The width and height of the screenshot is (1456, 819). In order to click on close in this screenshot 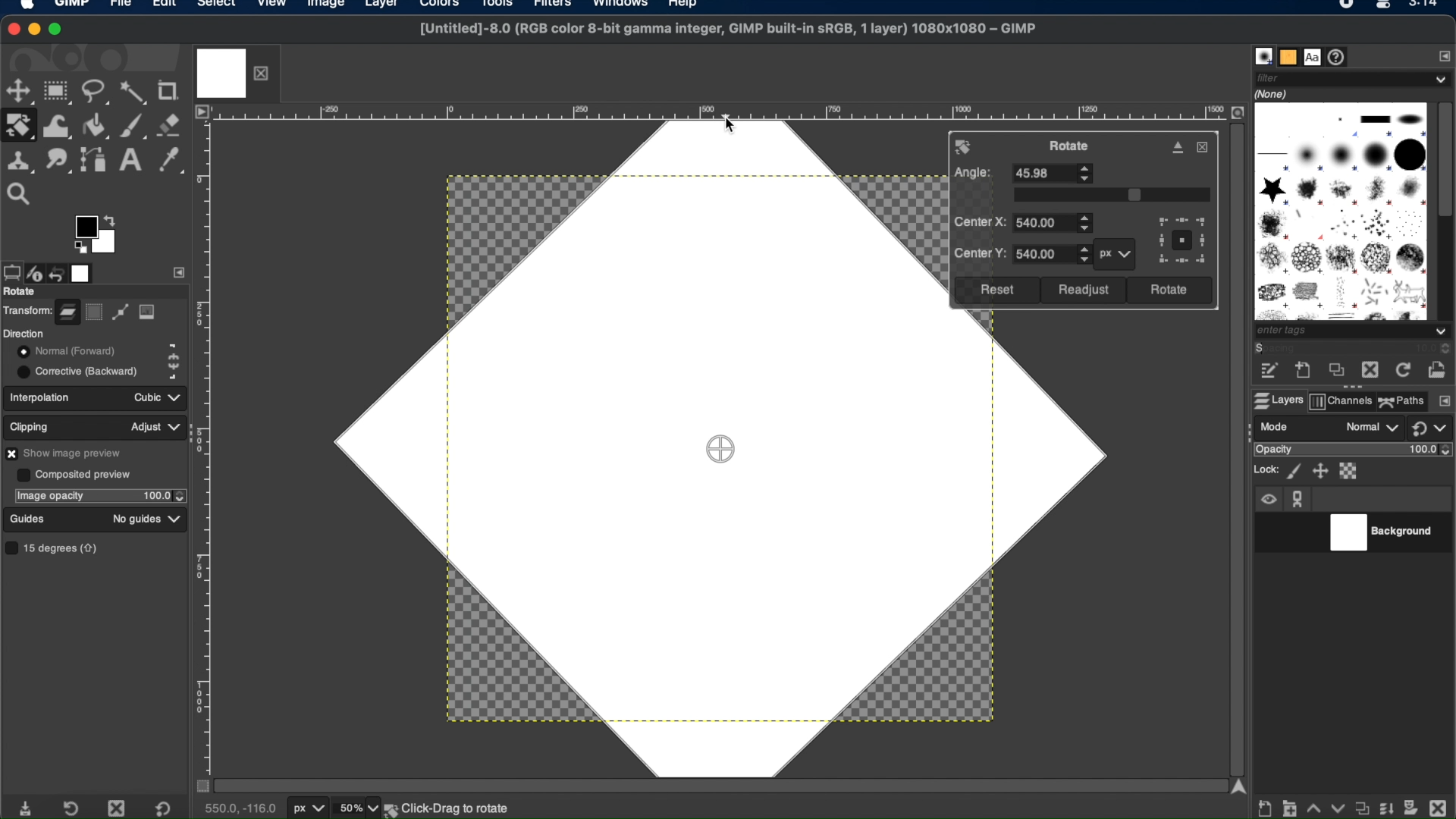, I will do `click(14, 27)`.